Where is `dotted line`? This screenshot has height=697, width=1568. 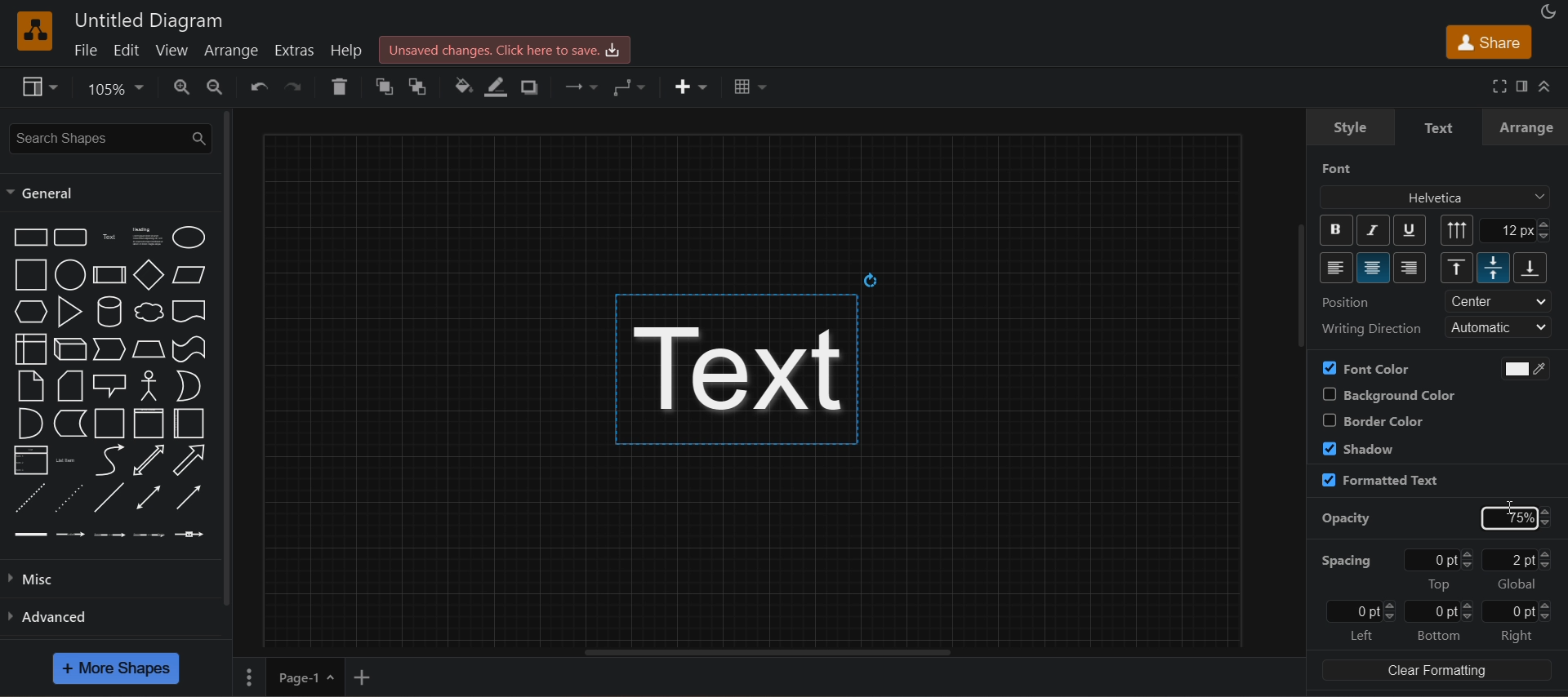
dotted line is located at coordinates (68, 498).